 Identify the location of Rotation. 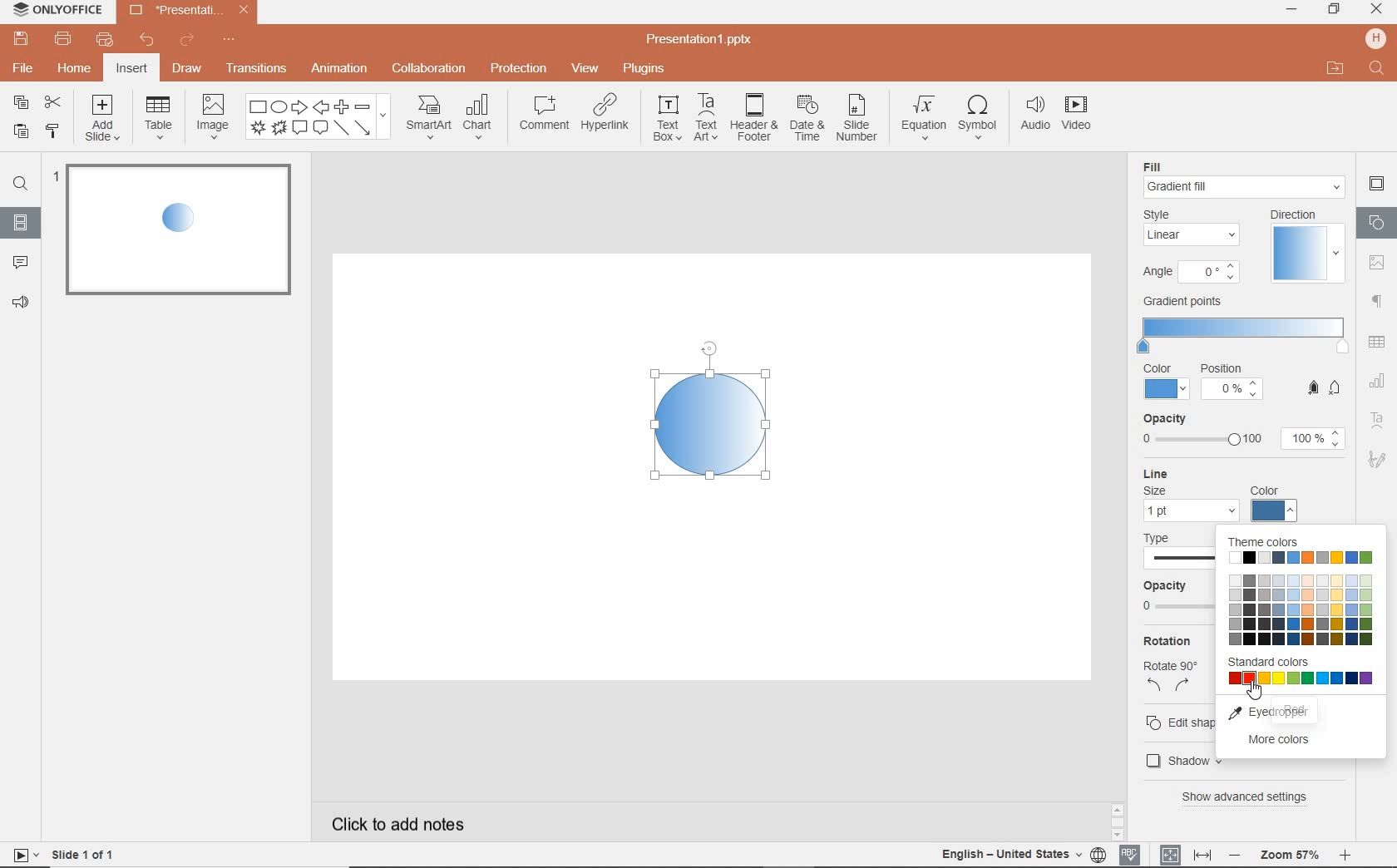
(1173, 641).